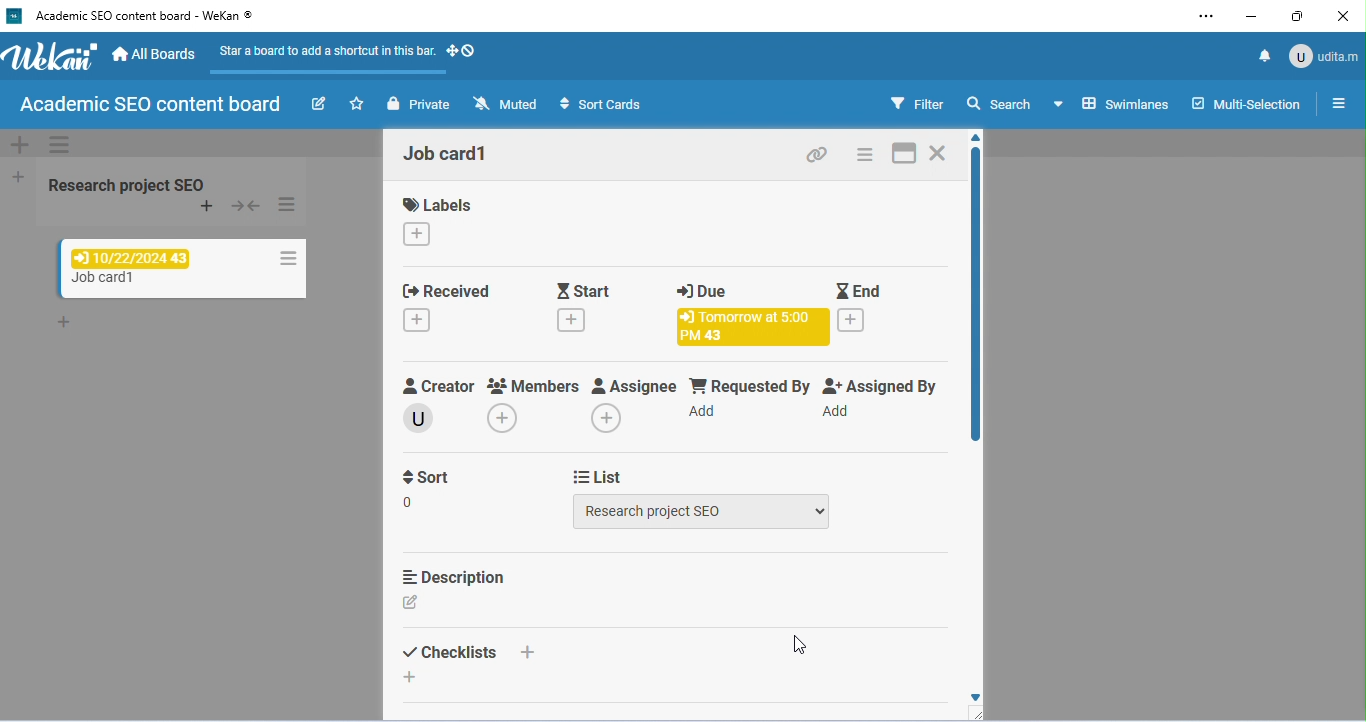  Describe the element at coordinates (502, 418) in the screenshot. I see `add members` at that location.